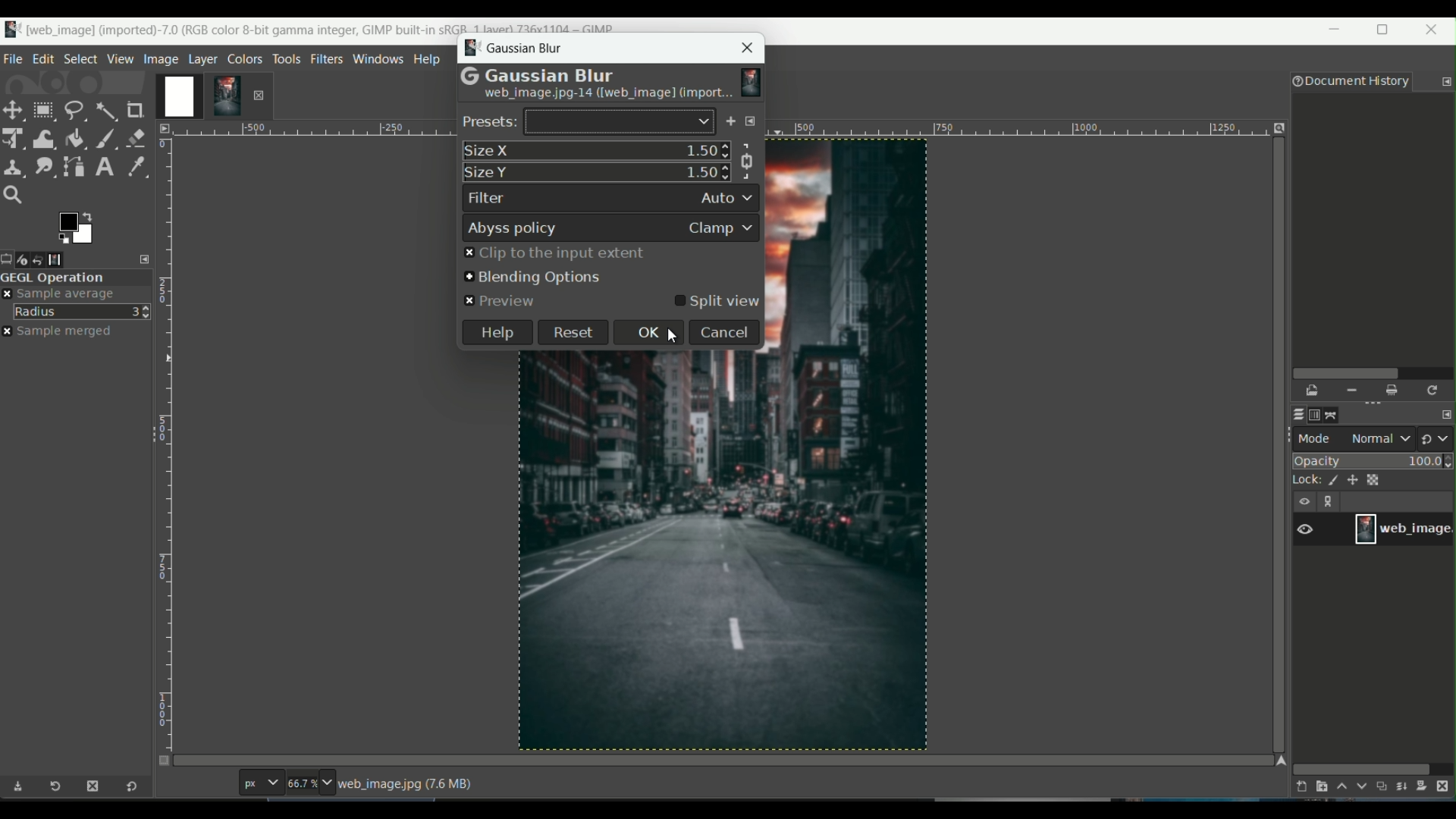  What do you see at coordinates (83, 311) in the screenshot?
I see `color picker average radius` at bounding box center [83, 311].